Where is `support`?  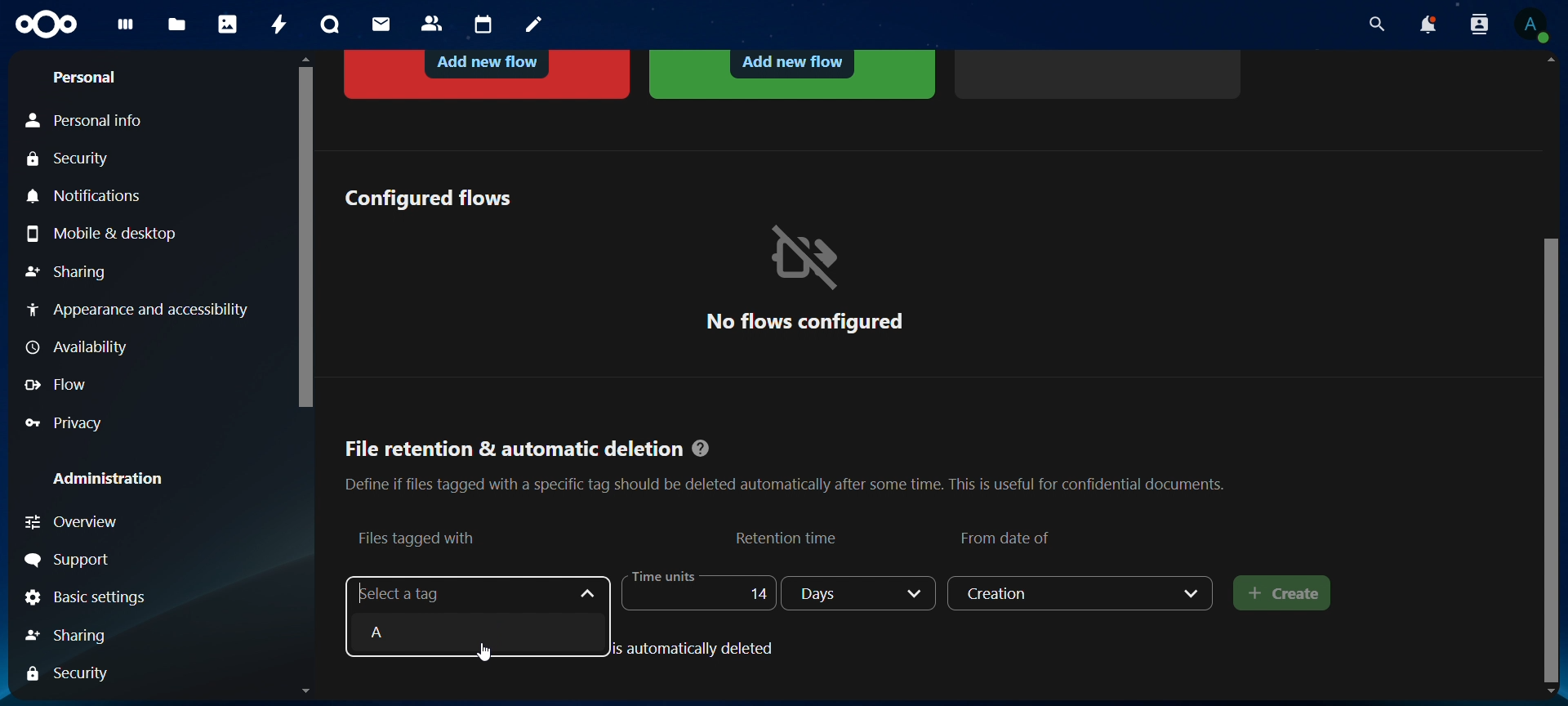
support is located at coordinates (72, 561).